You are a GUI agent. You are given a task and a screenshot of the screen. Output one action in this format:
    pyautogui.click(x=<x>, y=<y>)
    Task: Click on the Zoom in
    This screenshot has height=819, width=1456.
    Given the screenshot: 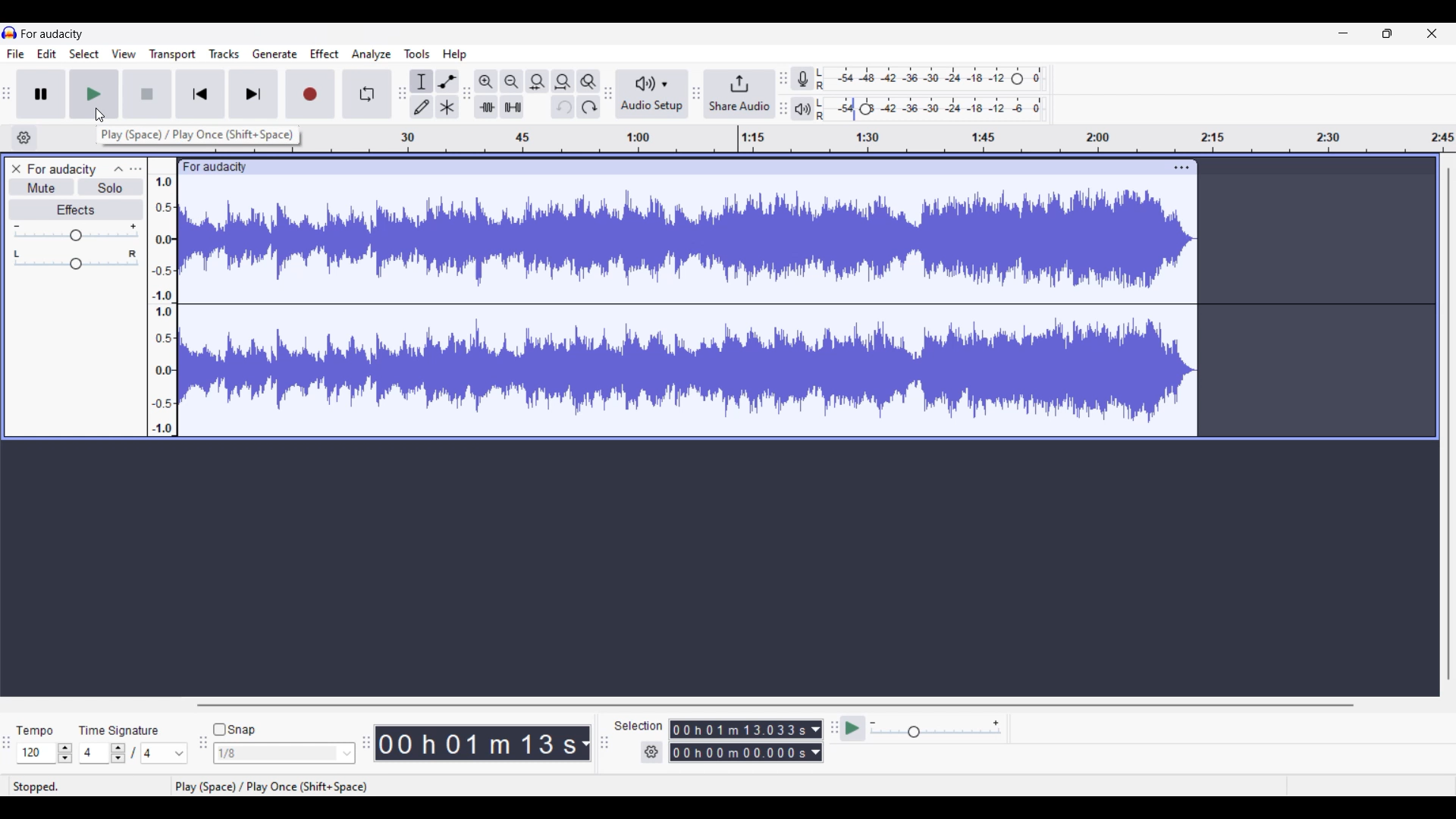 What is the action you would take?
    pyautogui.click(x=485, y=82)
    